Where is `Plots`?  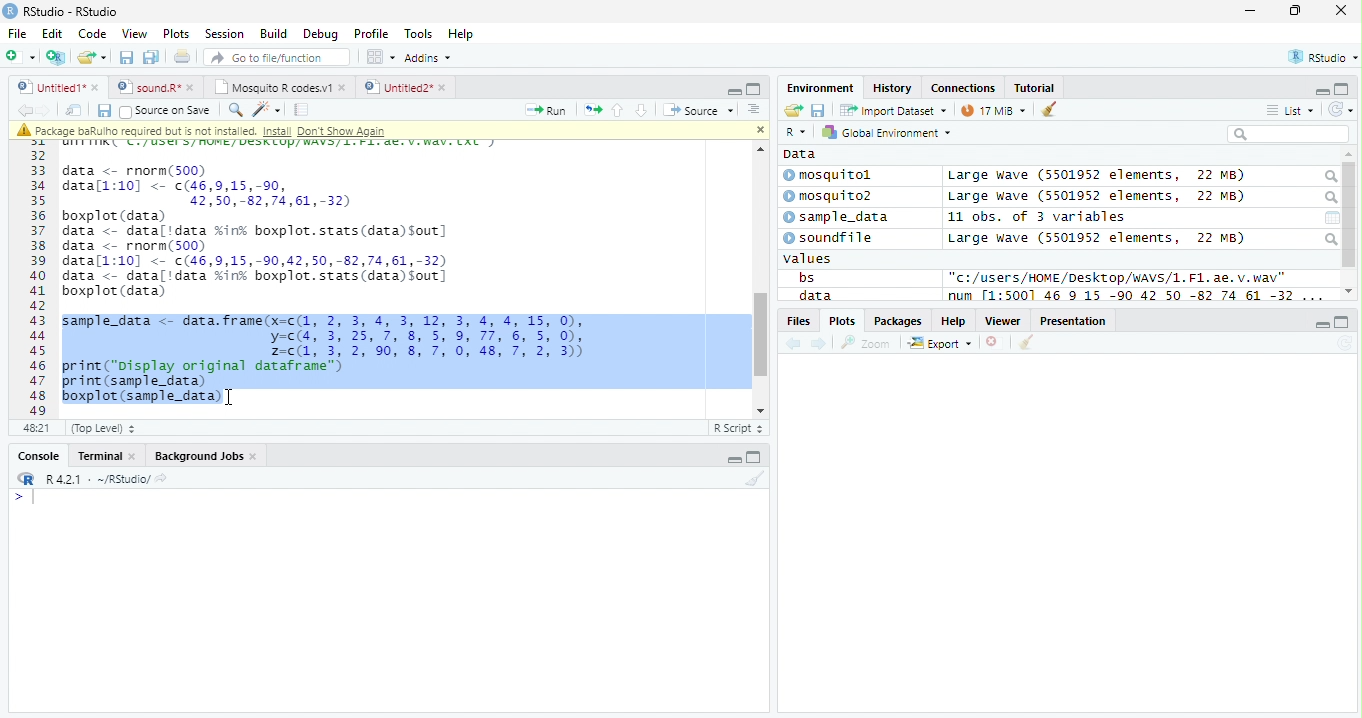 Plots is located at coordinates (841, 321).